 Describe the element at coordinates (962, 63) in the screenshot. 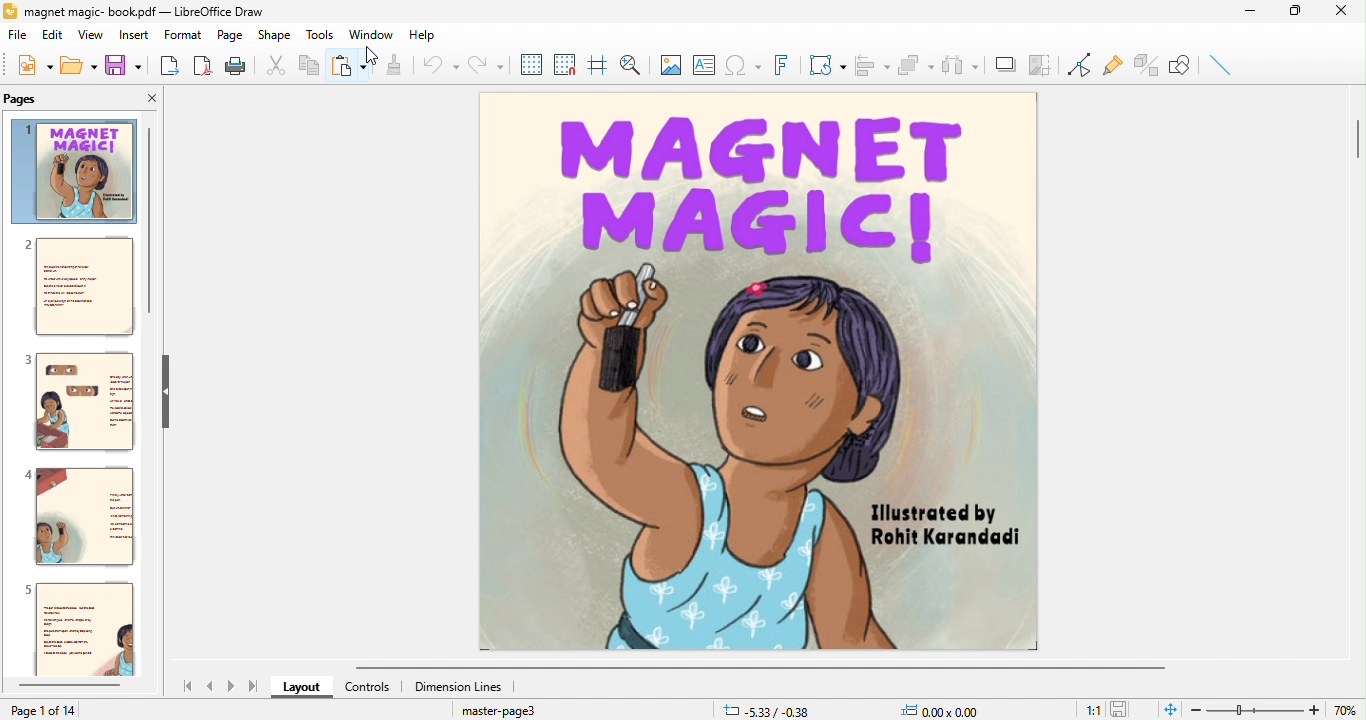

I see `select at least three object to distribute` at that location.